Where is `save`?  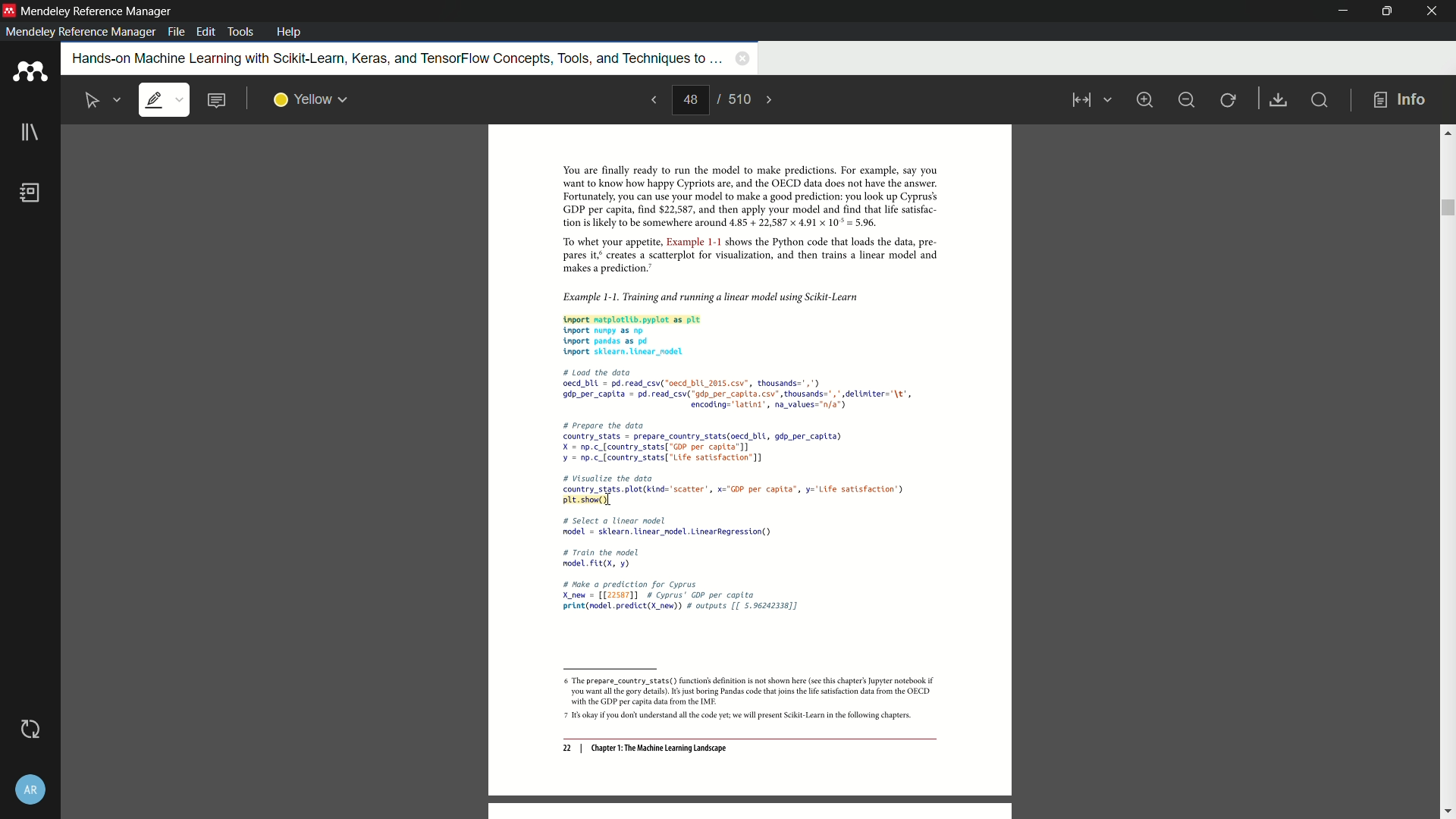
save is located at coordinates (1279, 101).